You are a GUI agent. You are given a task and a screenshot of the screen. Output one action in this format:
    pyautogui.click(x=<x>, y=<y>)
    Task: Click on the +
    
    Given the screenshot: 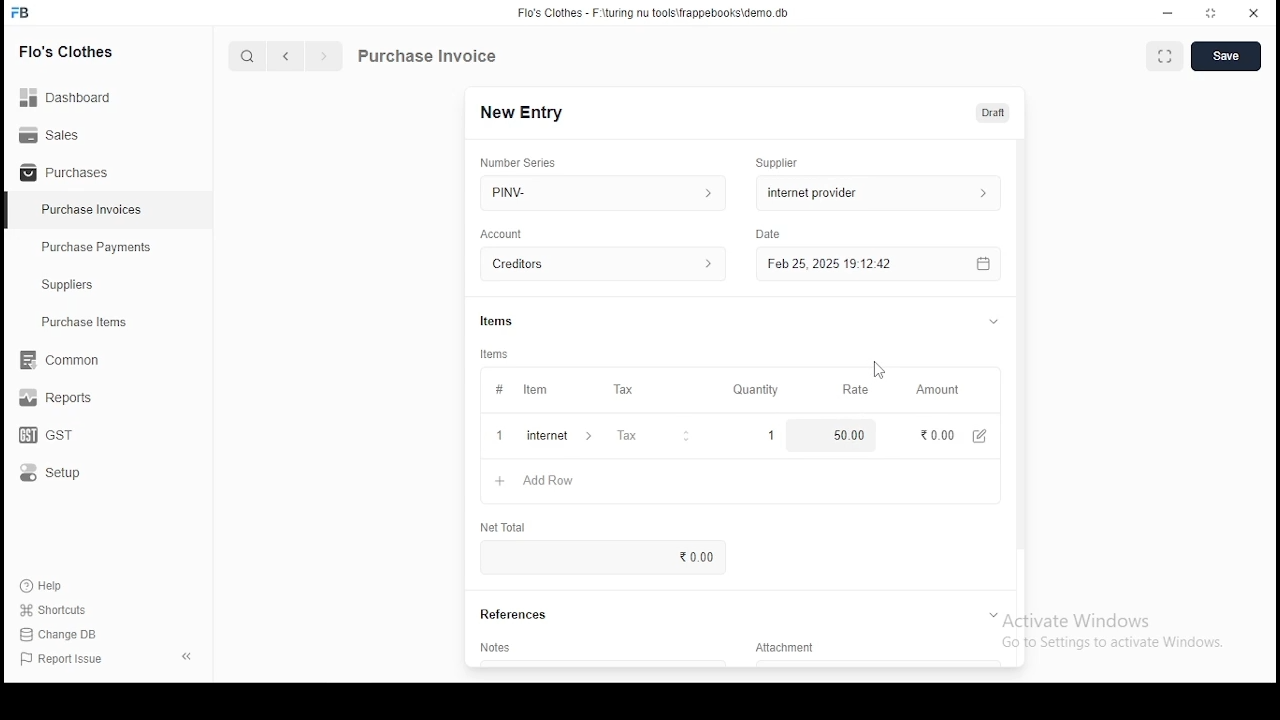 What is the action you would take?
    pyautogui.click(x=499, y=437)
    